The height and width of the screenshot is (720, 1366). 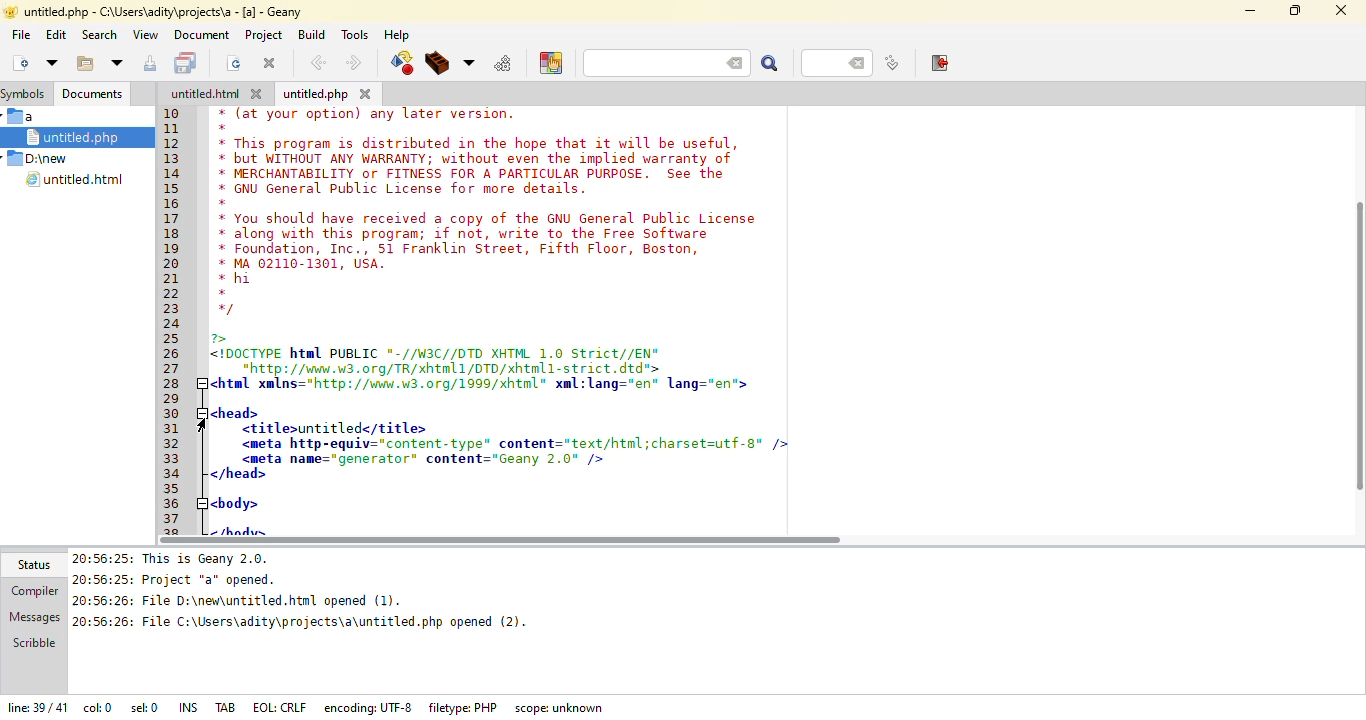 What do you see at coordinates (257, 93) in the screenshot?
I see `close` at bounding box center [257, 93].